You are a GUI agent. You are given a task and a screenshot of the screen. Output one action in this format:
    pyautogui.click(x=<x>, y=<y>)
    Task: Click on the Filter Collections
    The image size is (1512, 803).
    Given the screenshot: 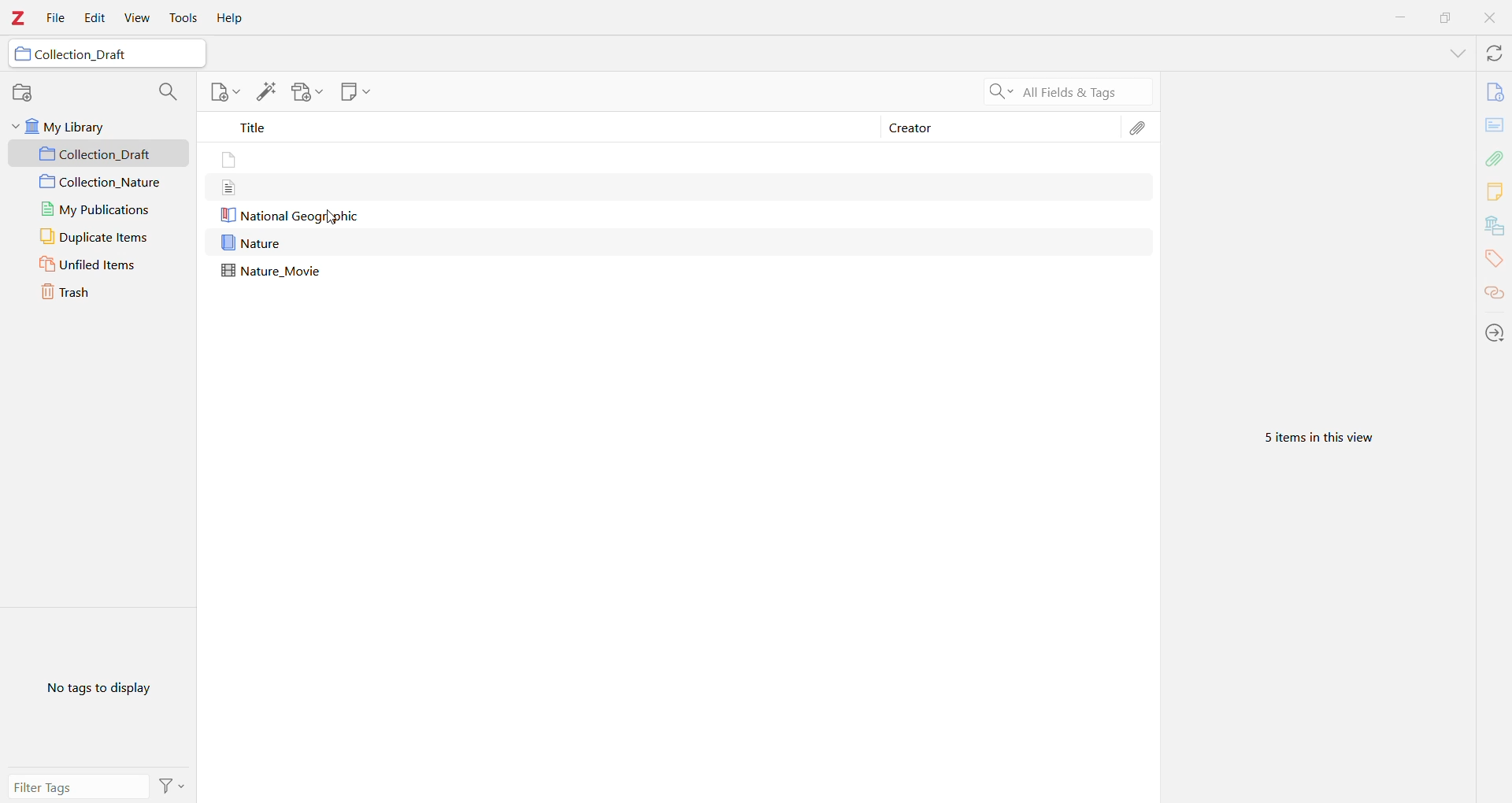 What is the action you would take?
    pyautogui.click(x=167, y=90)
    